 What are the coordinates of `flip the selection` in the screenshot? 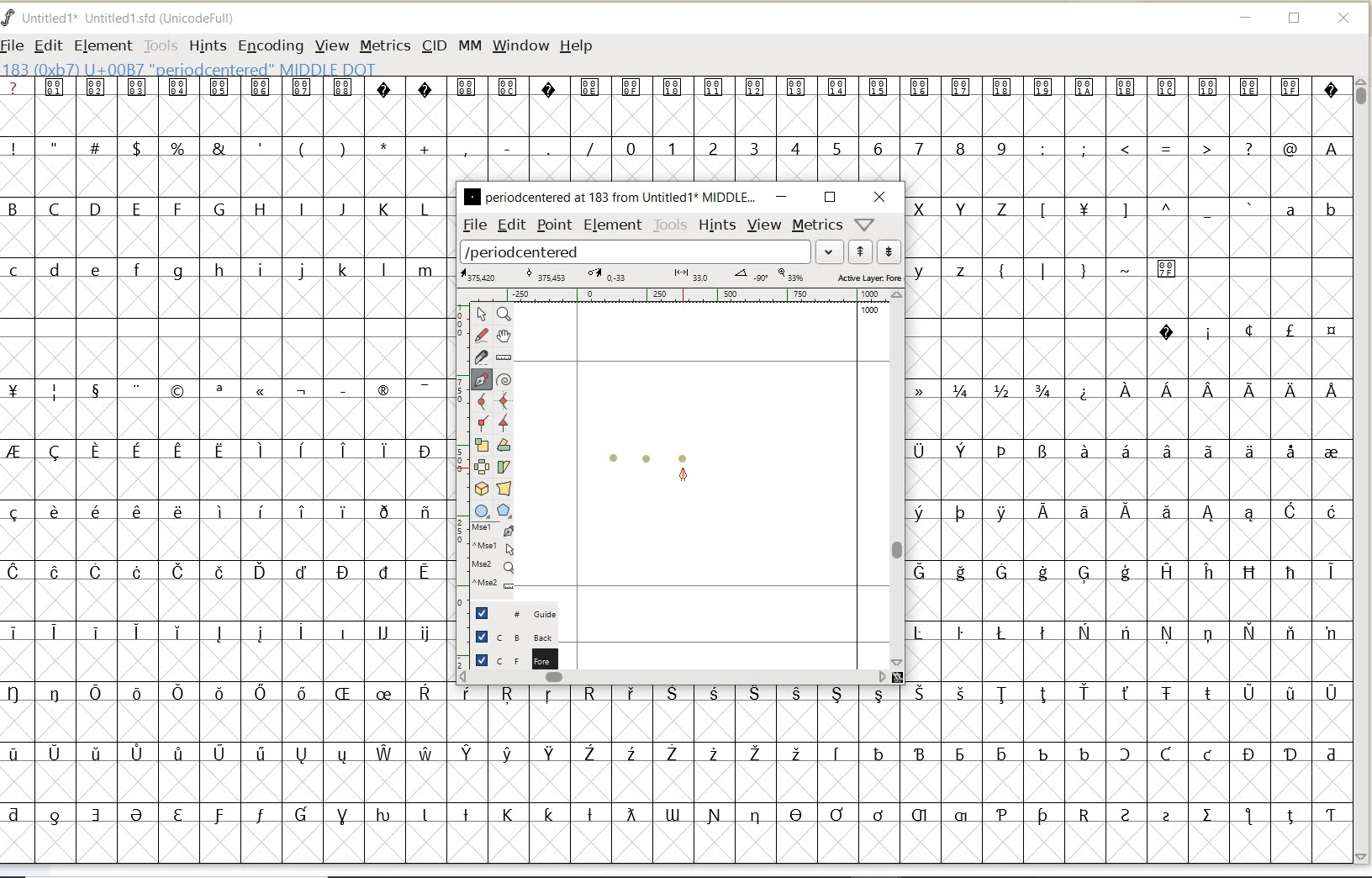 It's located at (483, 467).